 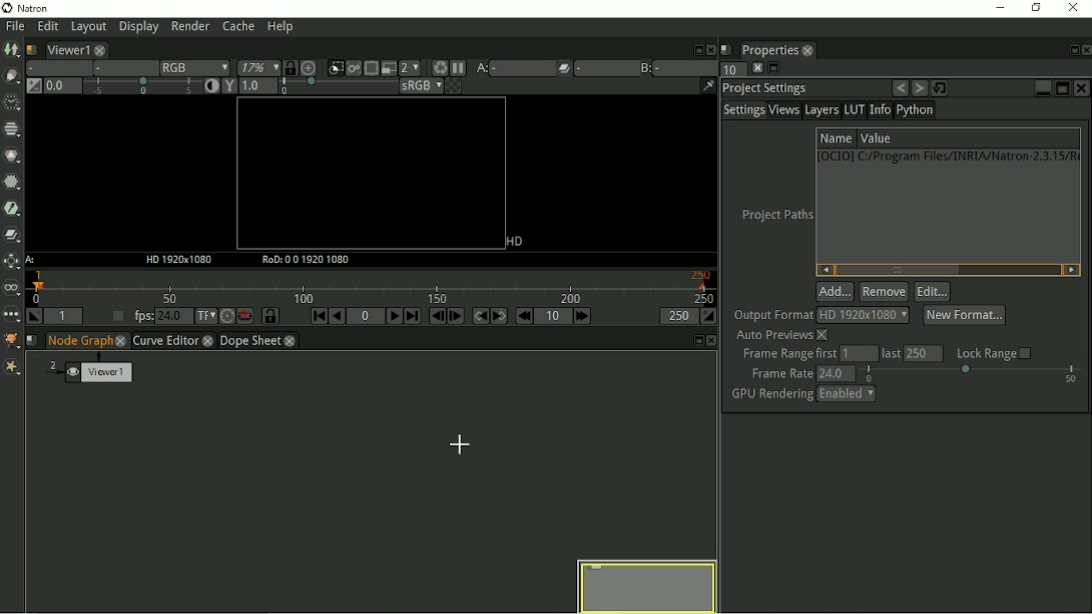 I want to click on HD, so click(x=520, y=241).